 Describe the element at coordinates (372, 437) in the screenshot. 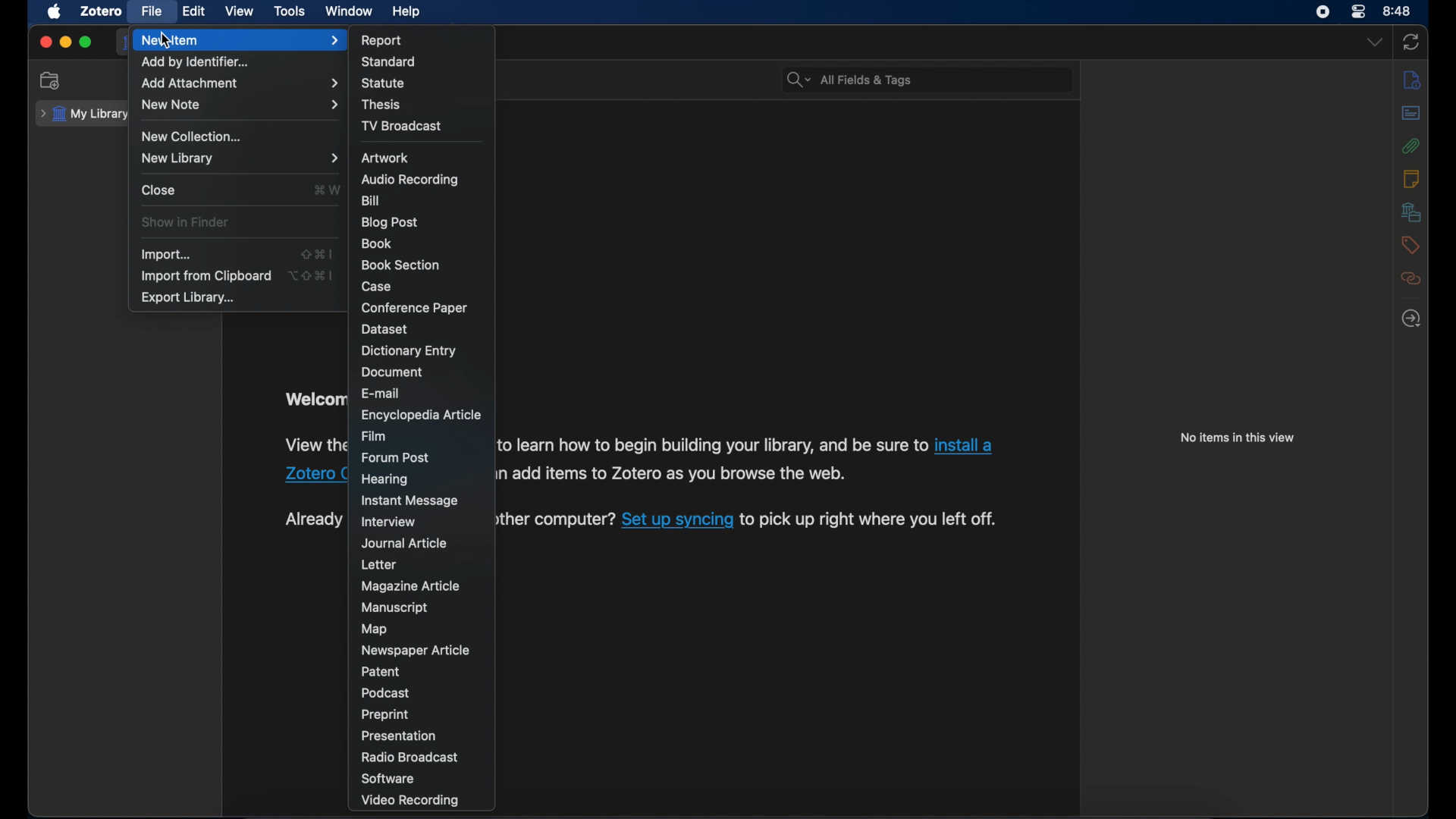

I see `film` at that location.